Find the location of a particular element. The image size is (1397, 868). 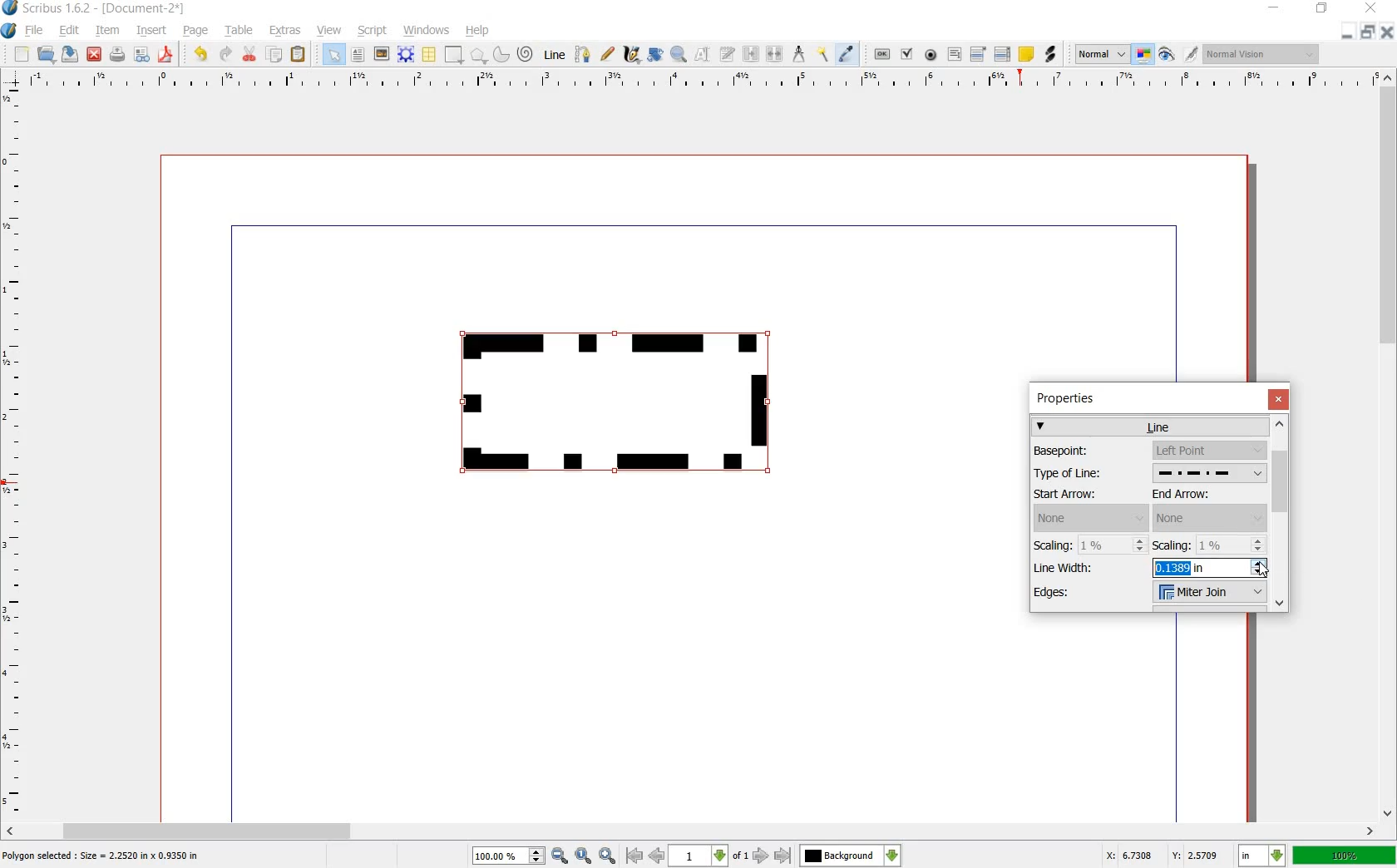

RESTORE is located at coordinates (1320, 11).